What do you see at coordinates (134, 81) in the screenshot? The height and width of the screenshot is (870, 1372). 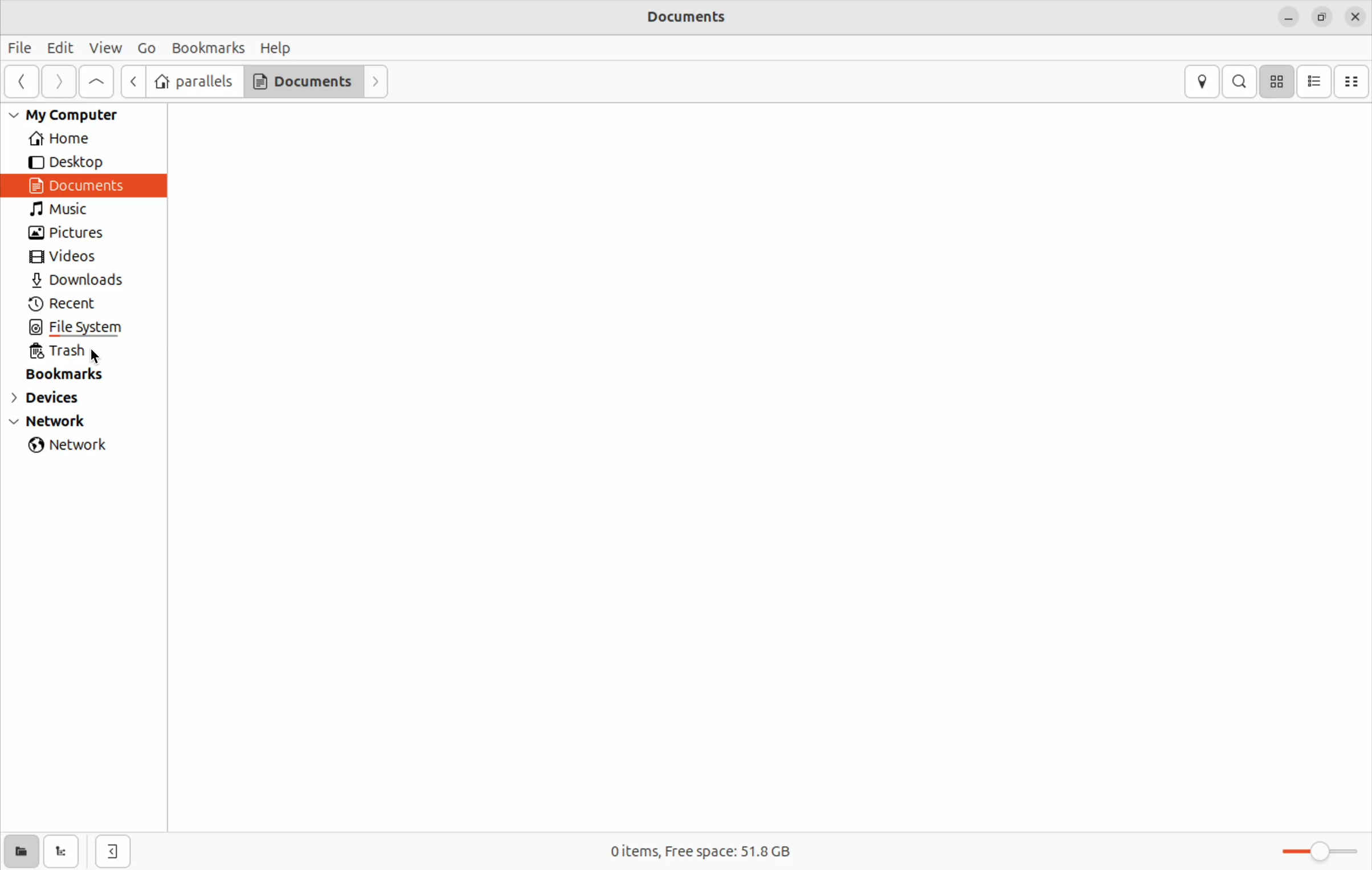 I see `` at bounding box center [134, 81].